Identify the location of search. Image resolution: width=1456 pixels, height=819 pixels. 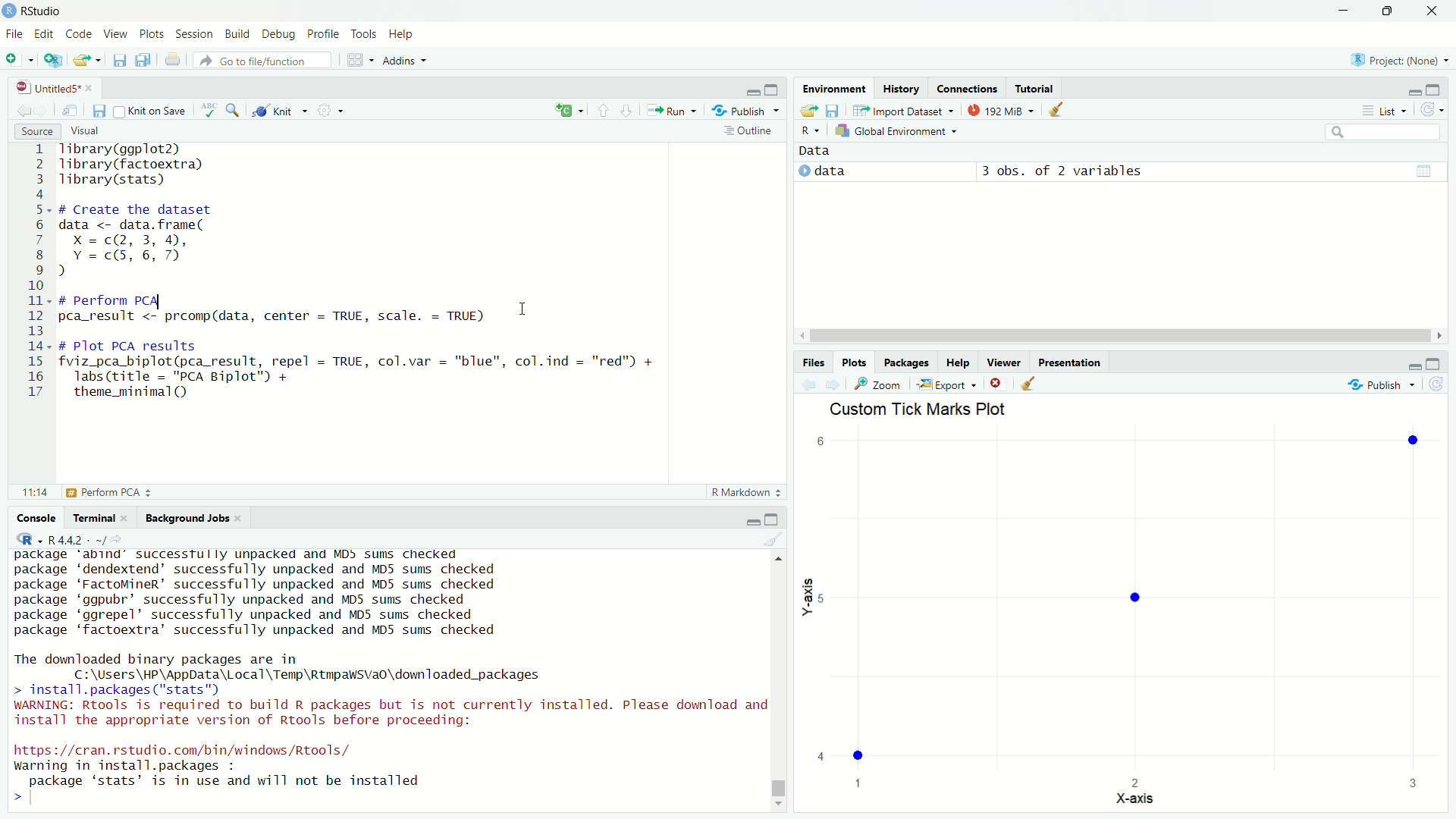
(1385, 132).